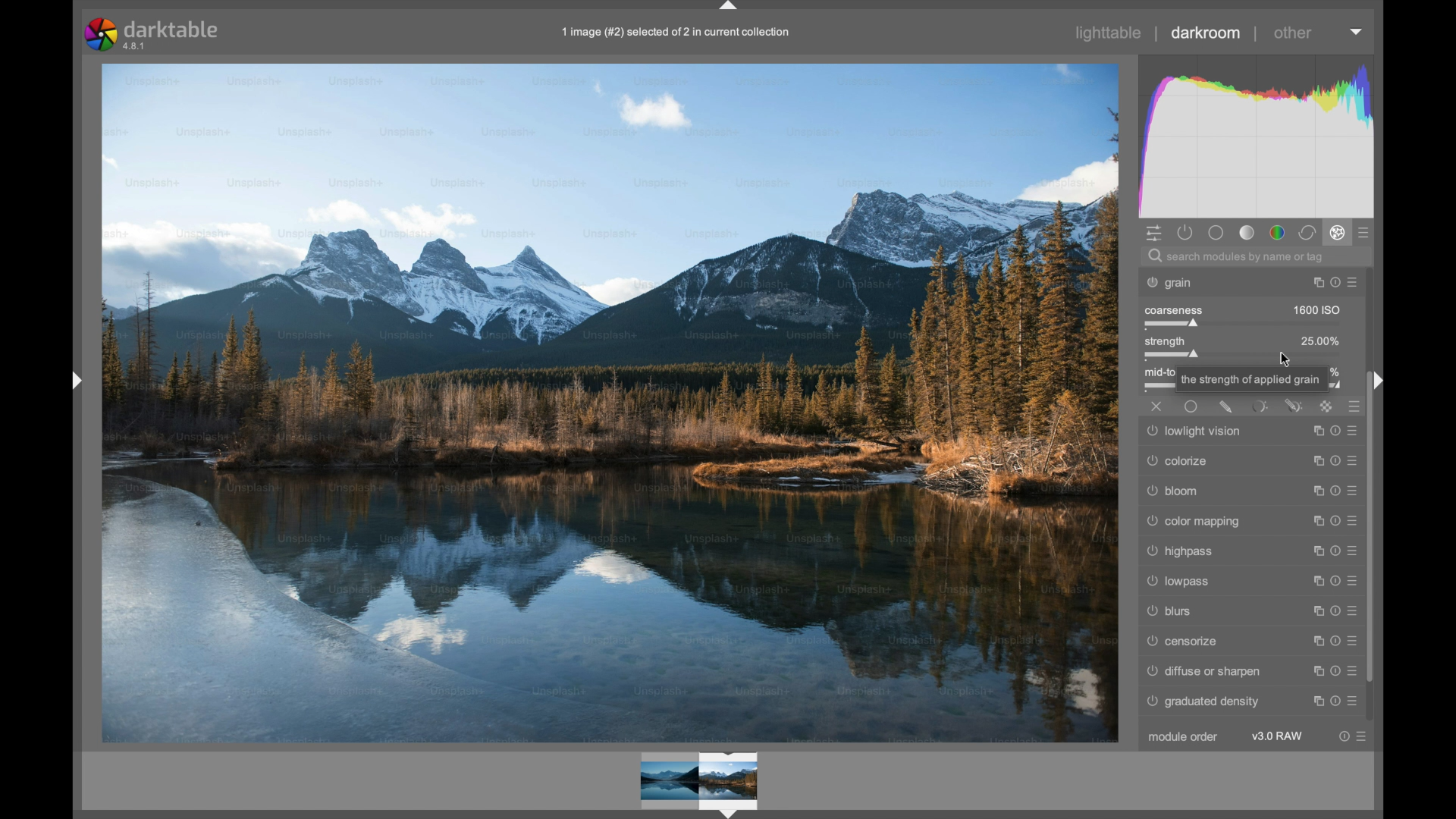 The image size is (1456, 819). Describe the element at coordinates (1188, 433) in the screenshot. I see `lowlight vision` at that location.